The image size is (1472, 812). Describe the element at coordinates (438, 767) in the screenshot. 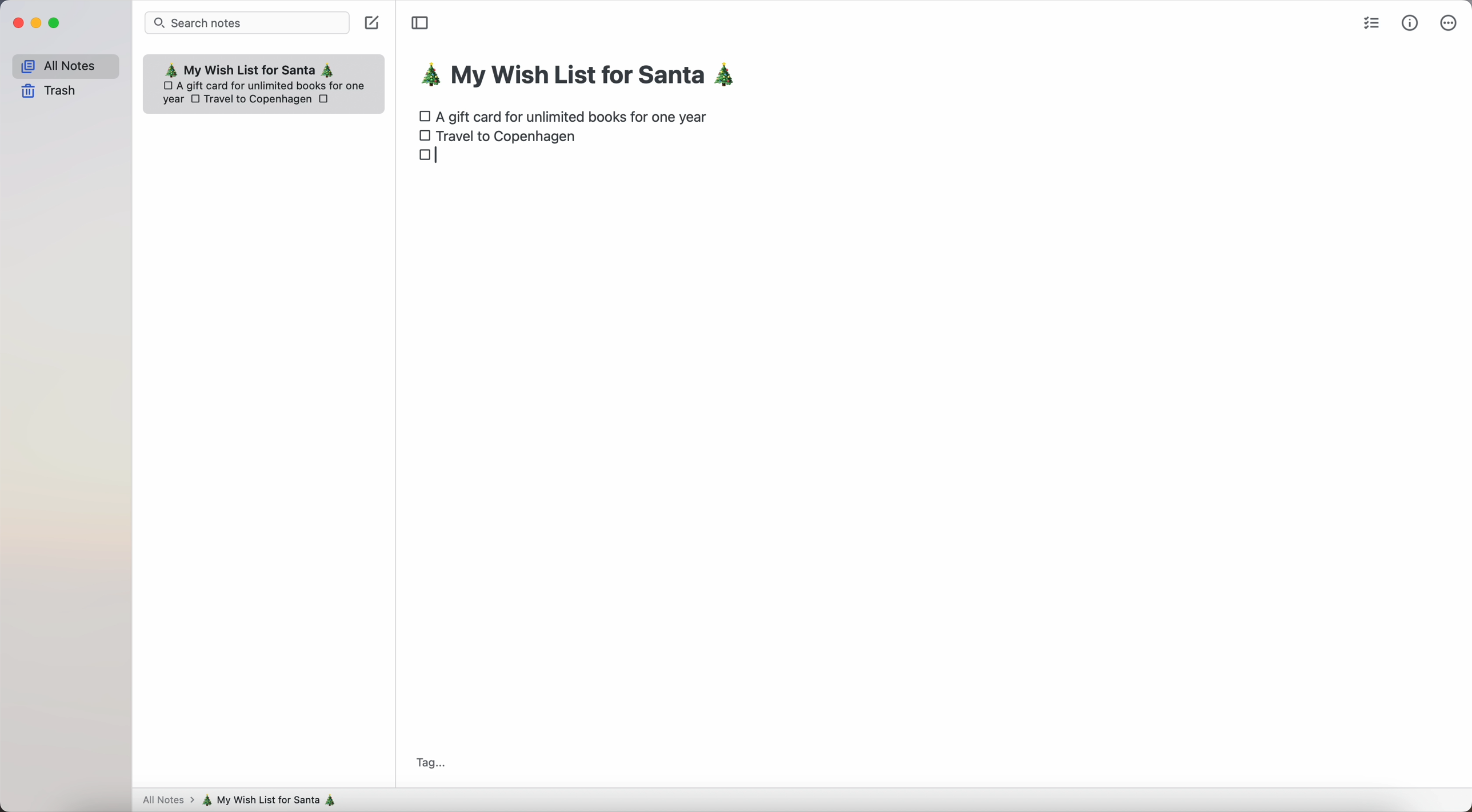

I see `Tag...` at that location.